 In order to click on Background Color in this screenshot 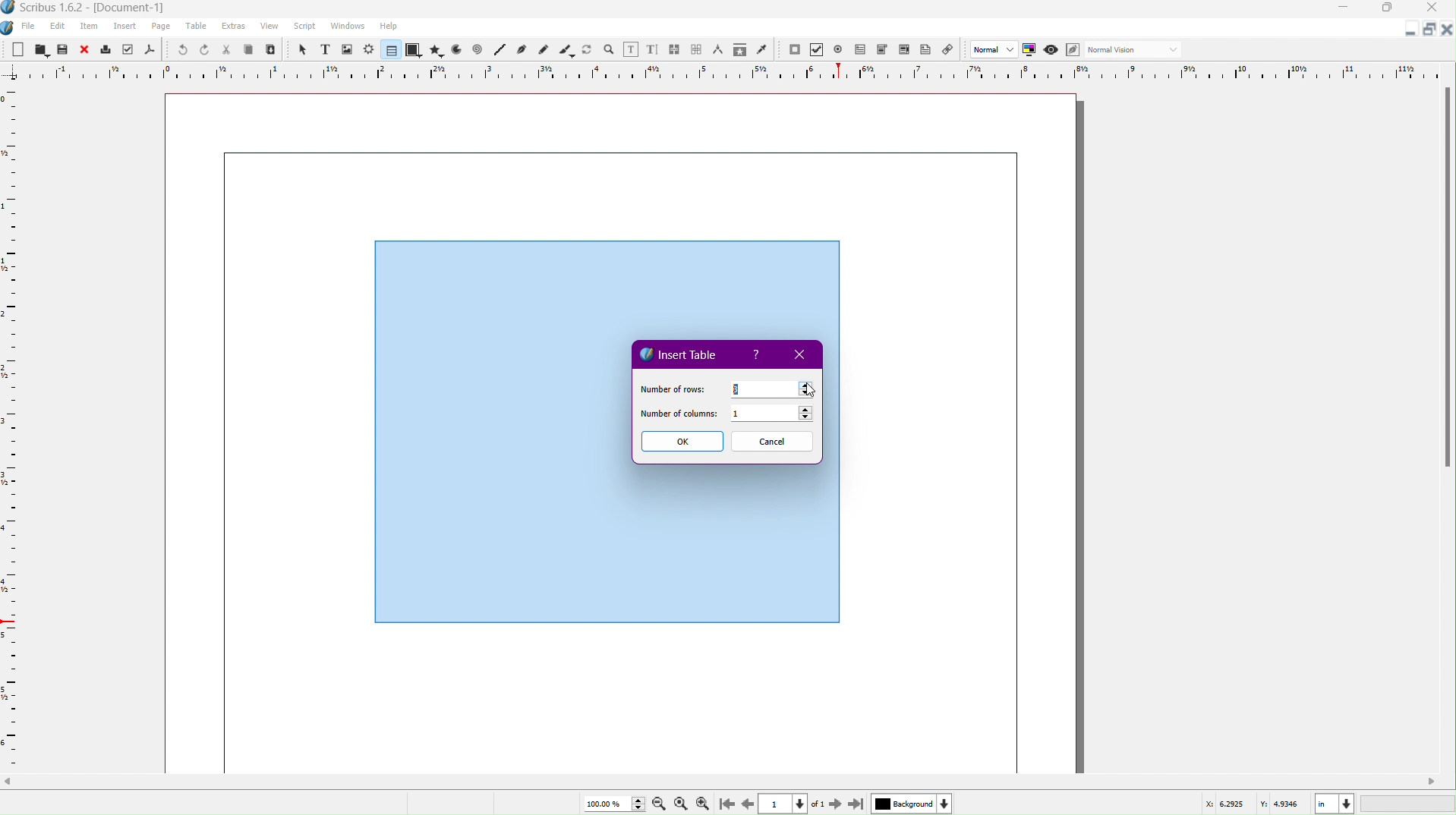, I will do `click(909, 803)`.